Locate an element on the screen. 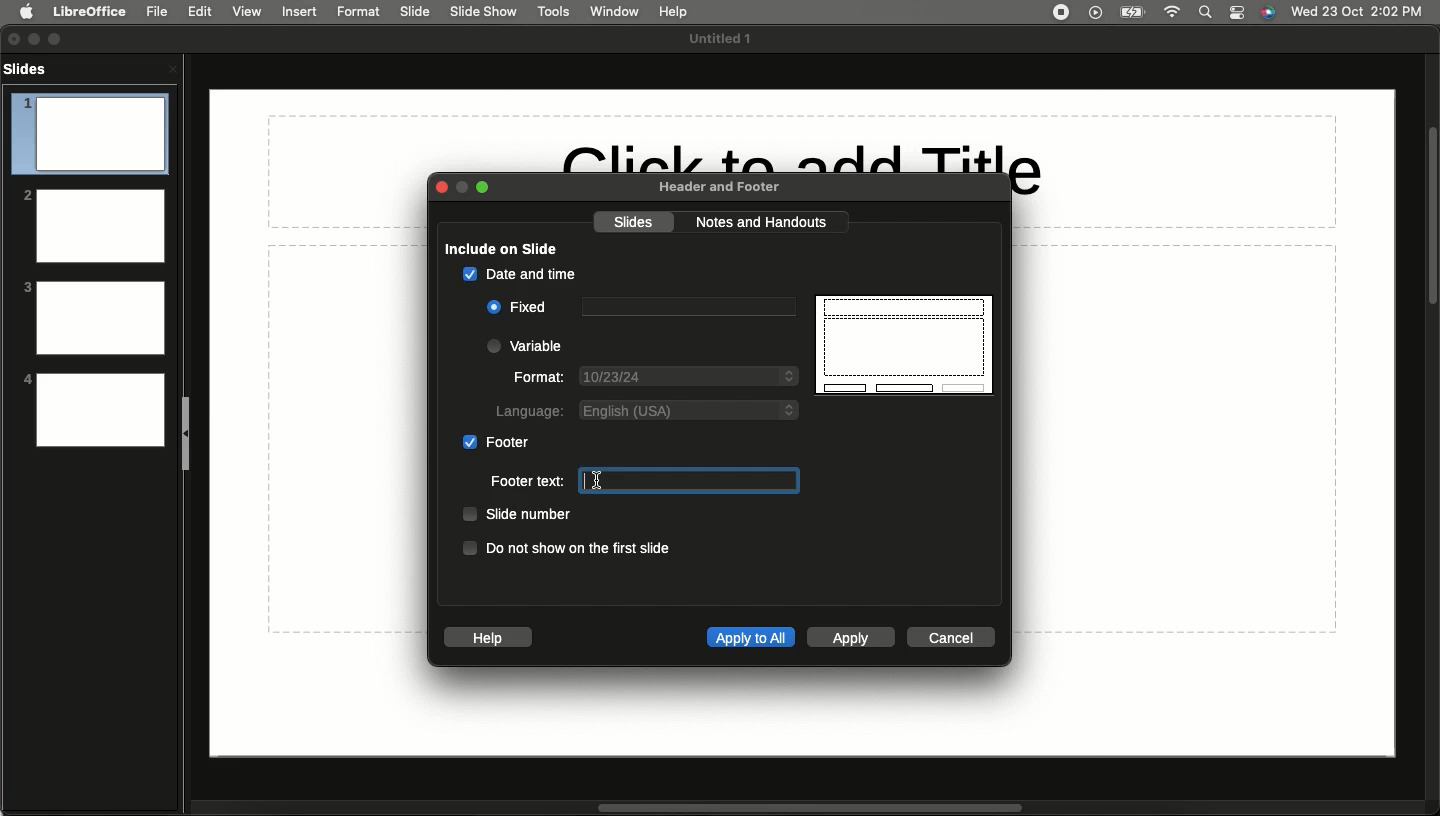  Date is located at coordinates (688, 377).